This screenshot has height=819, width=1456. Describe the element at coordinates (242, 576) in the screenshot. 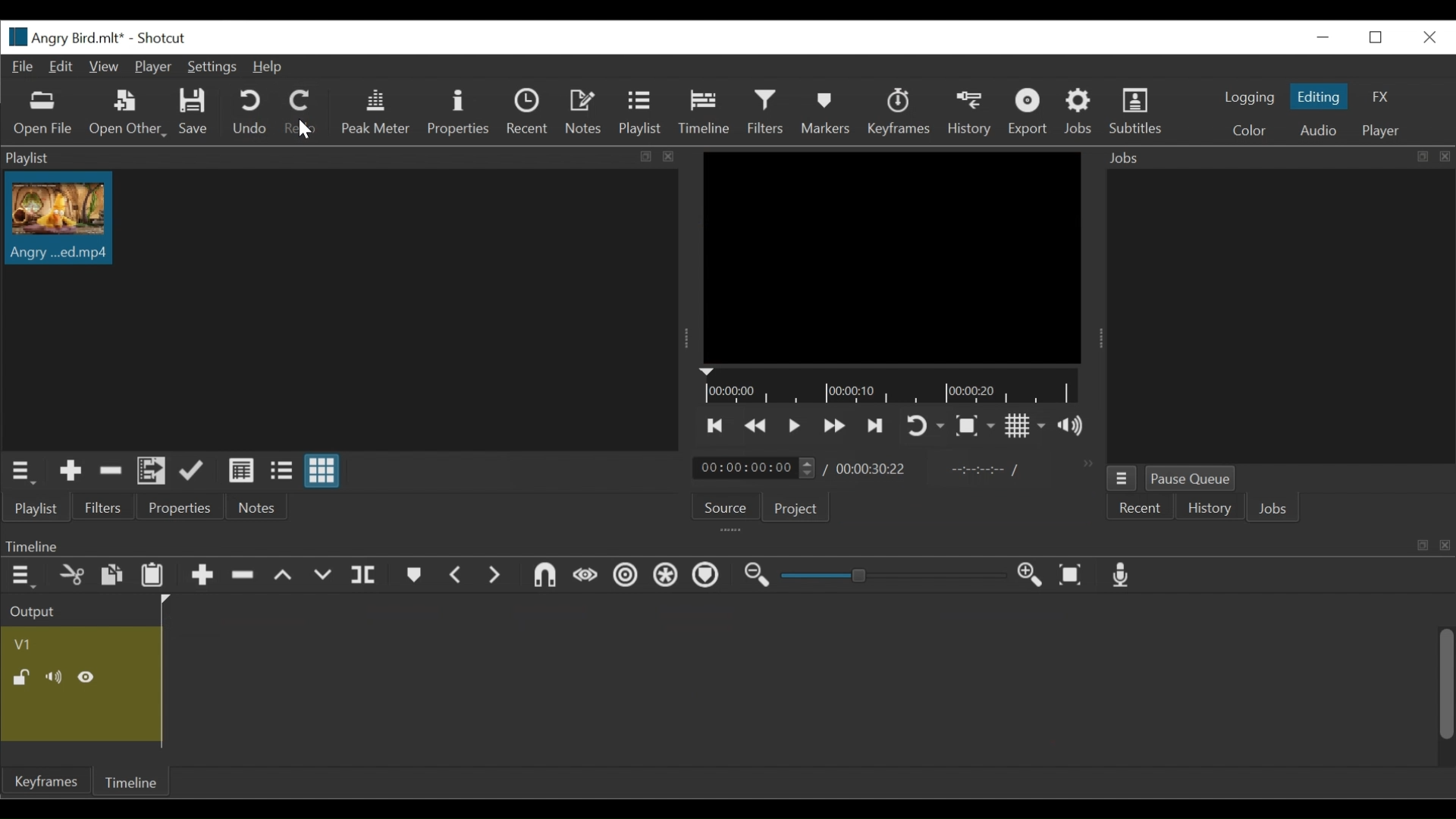

I see `Ripple Delete` at that location.